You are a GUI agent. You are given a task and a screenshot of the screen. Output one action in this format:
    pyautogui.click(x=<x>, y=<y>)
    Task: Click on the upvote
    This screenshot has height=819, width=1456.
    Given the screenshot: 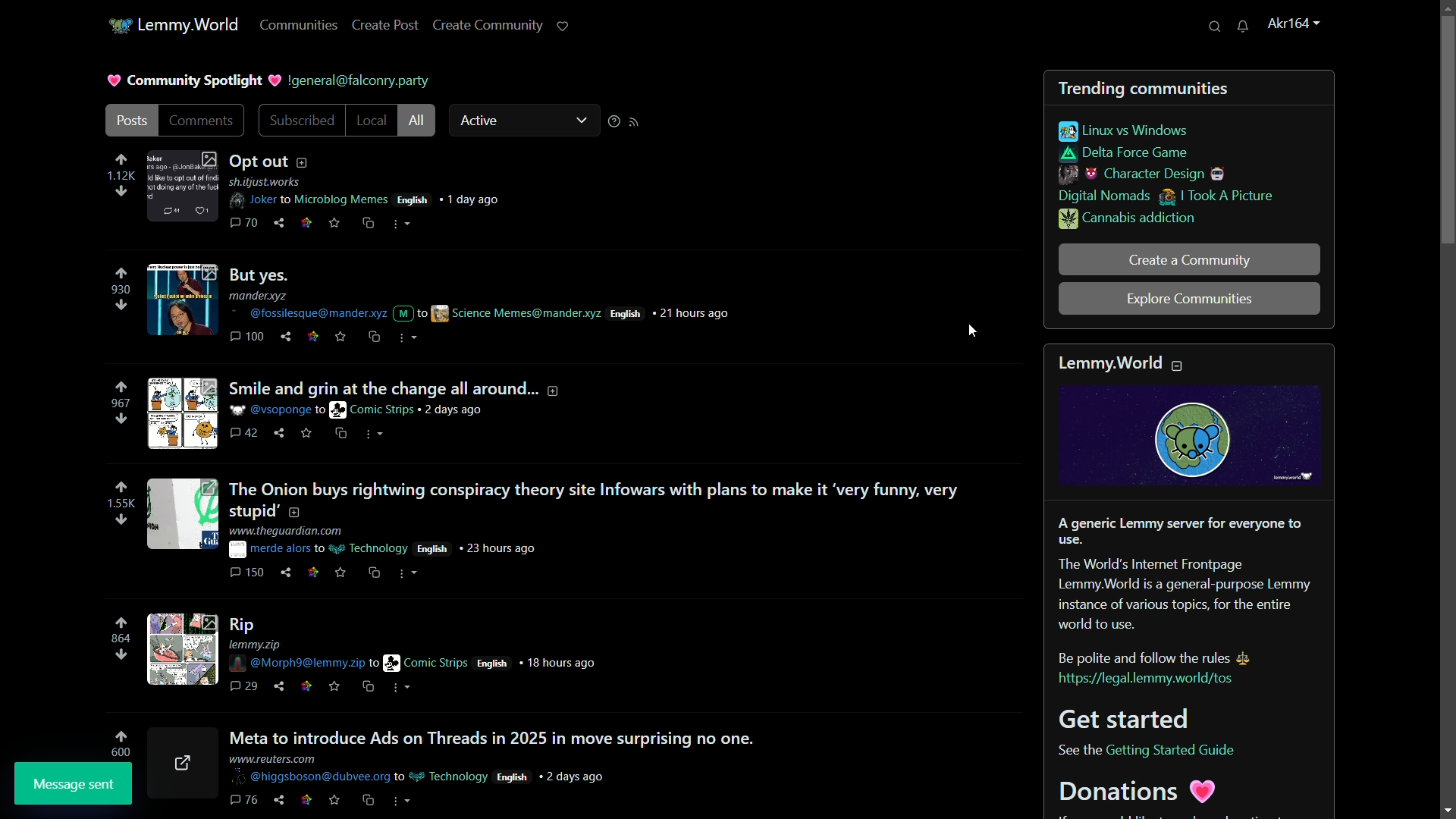 What is the action you would take?
    pyautogui.click(x=122, y=272)
    